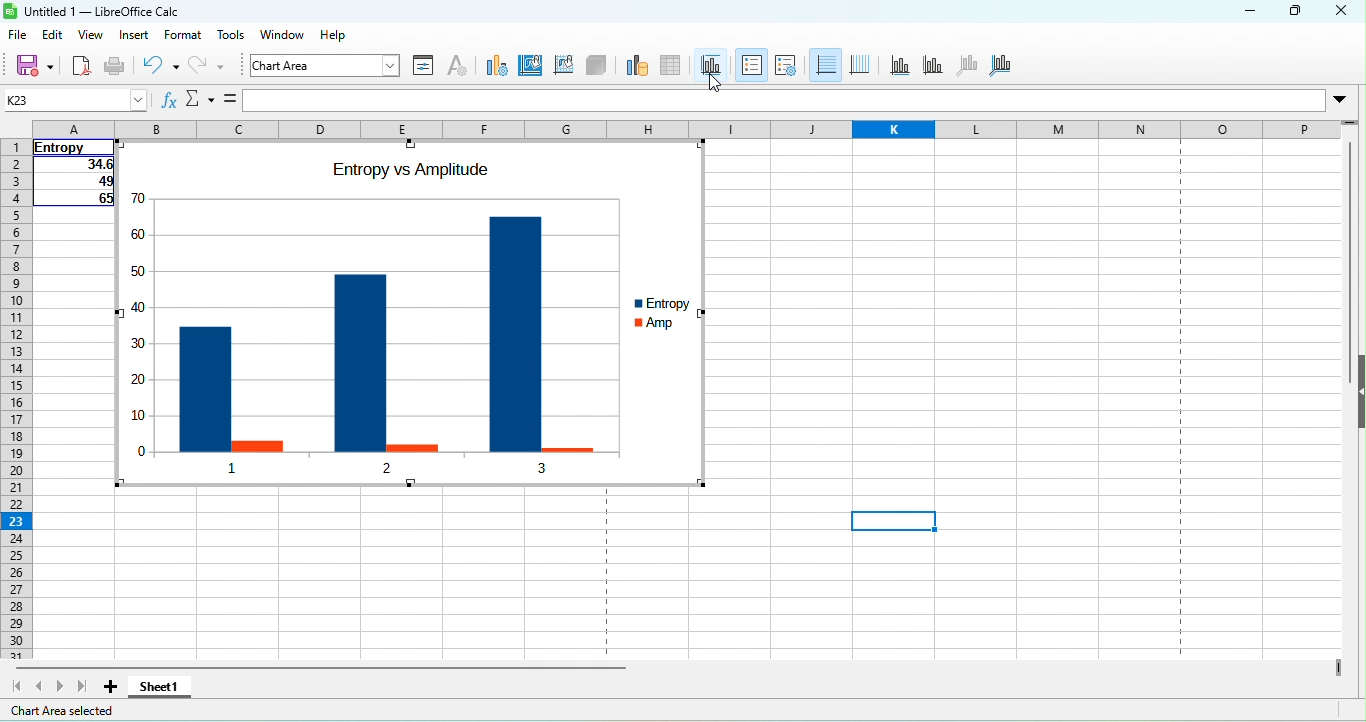 The width and height of the screenshot is (1366, 722). Describe the element at coordinates (140, 305) in the screenshot. I see `y axis values` at that location.